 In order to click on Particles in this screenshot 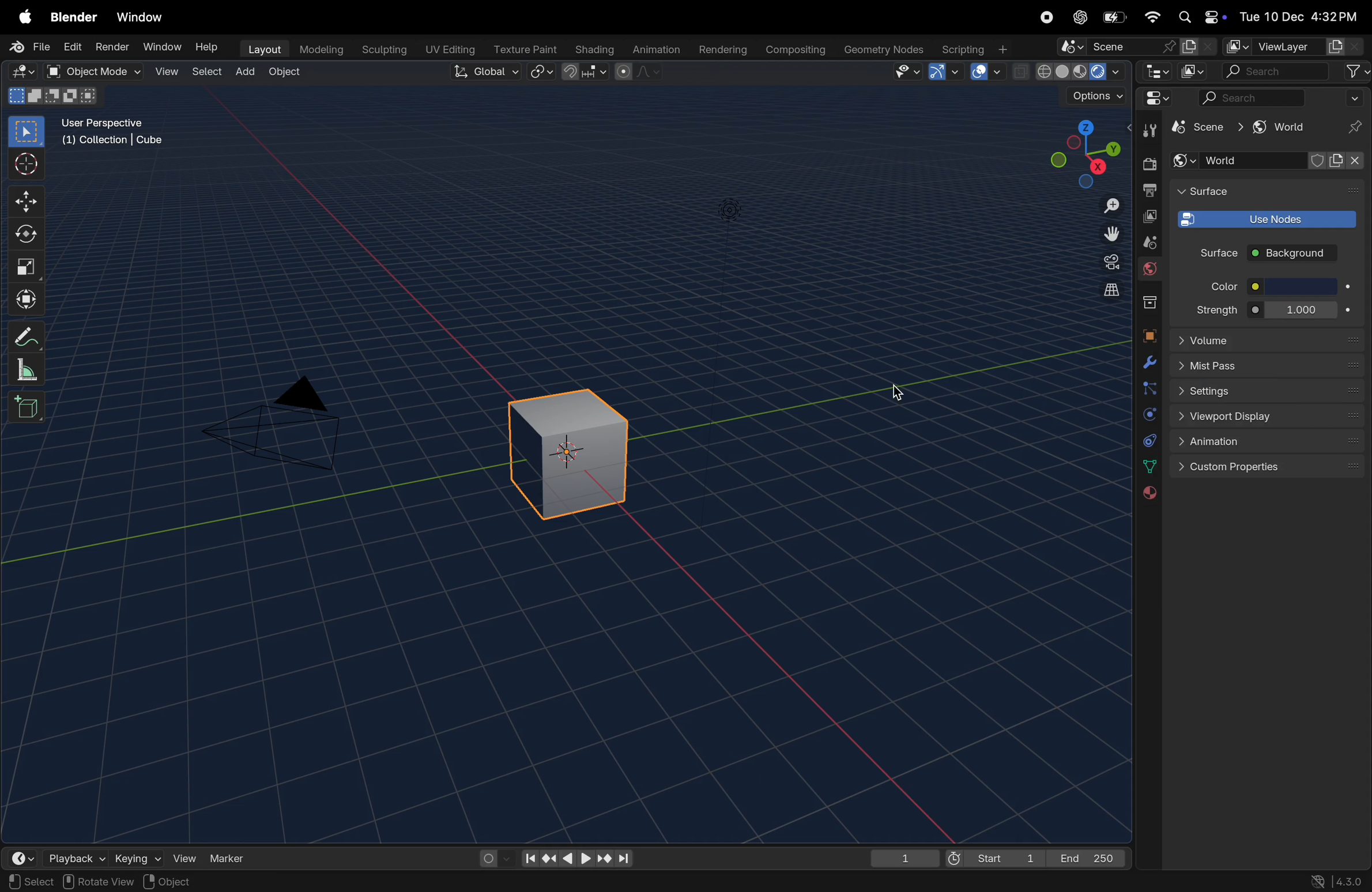, I will do `click(1149, 390)`.